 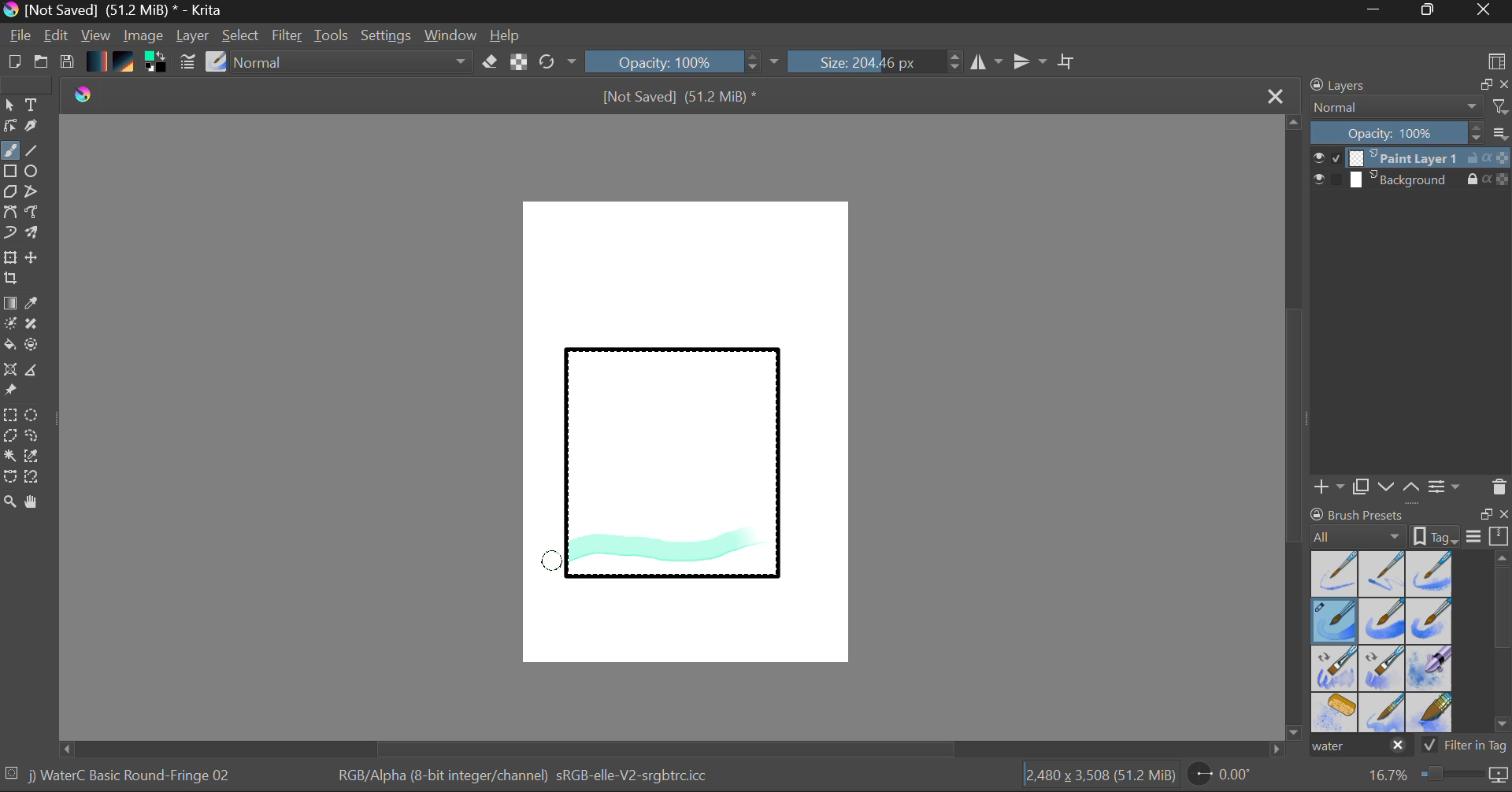 What do you see at coordinates (506, 35) in the screenshot?
I see `Help` at bounding box center [506, 35].